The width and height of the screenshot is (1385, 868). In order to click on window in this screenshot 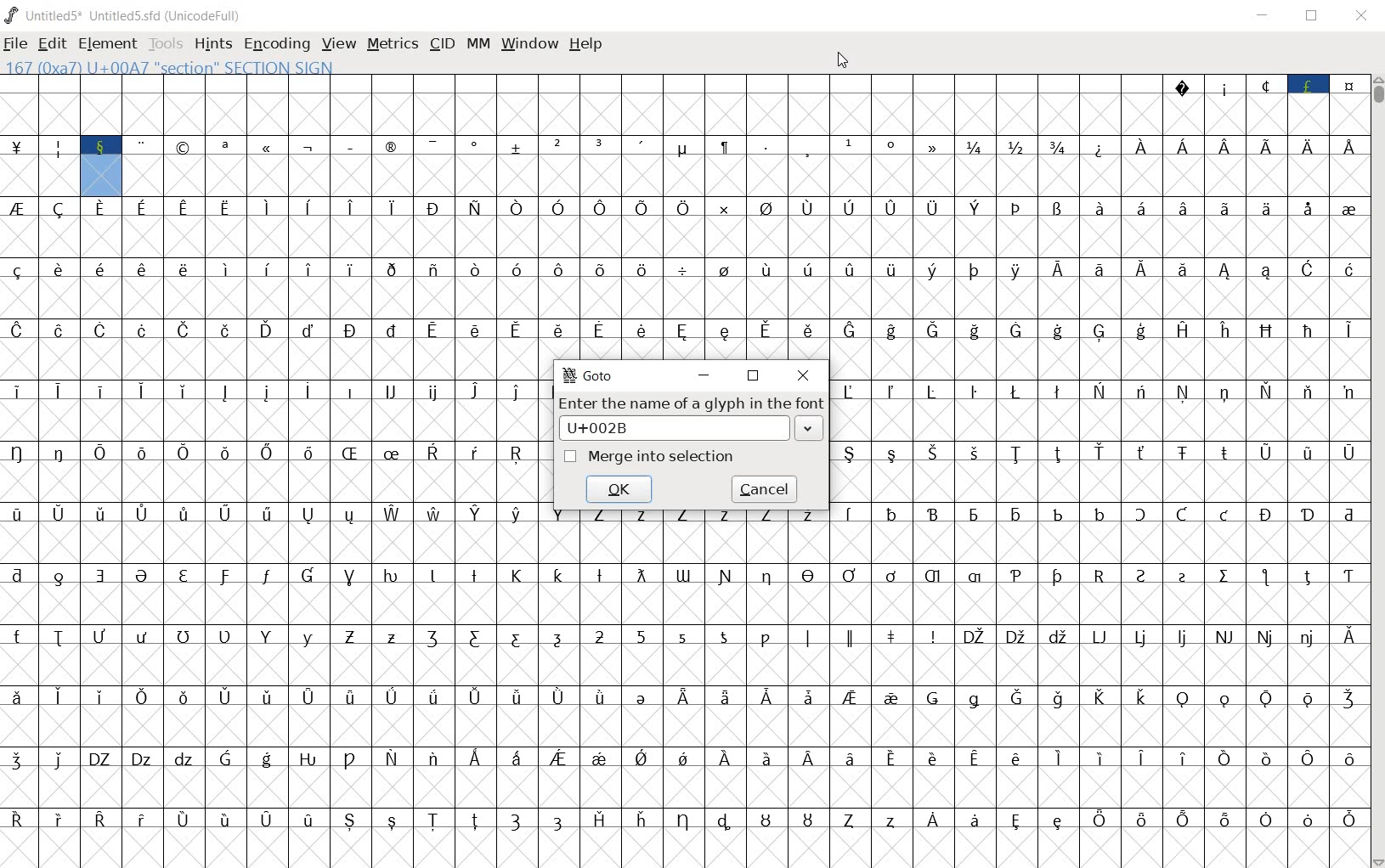, I will do `click(529, 45)`.